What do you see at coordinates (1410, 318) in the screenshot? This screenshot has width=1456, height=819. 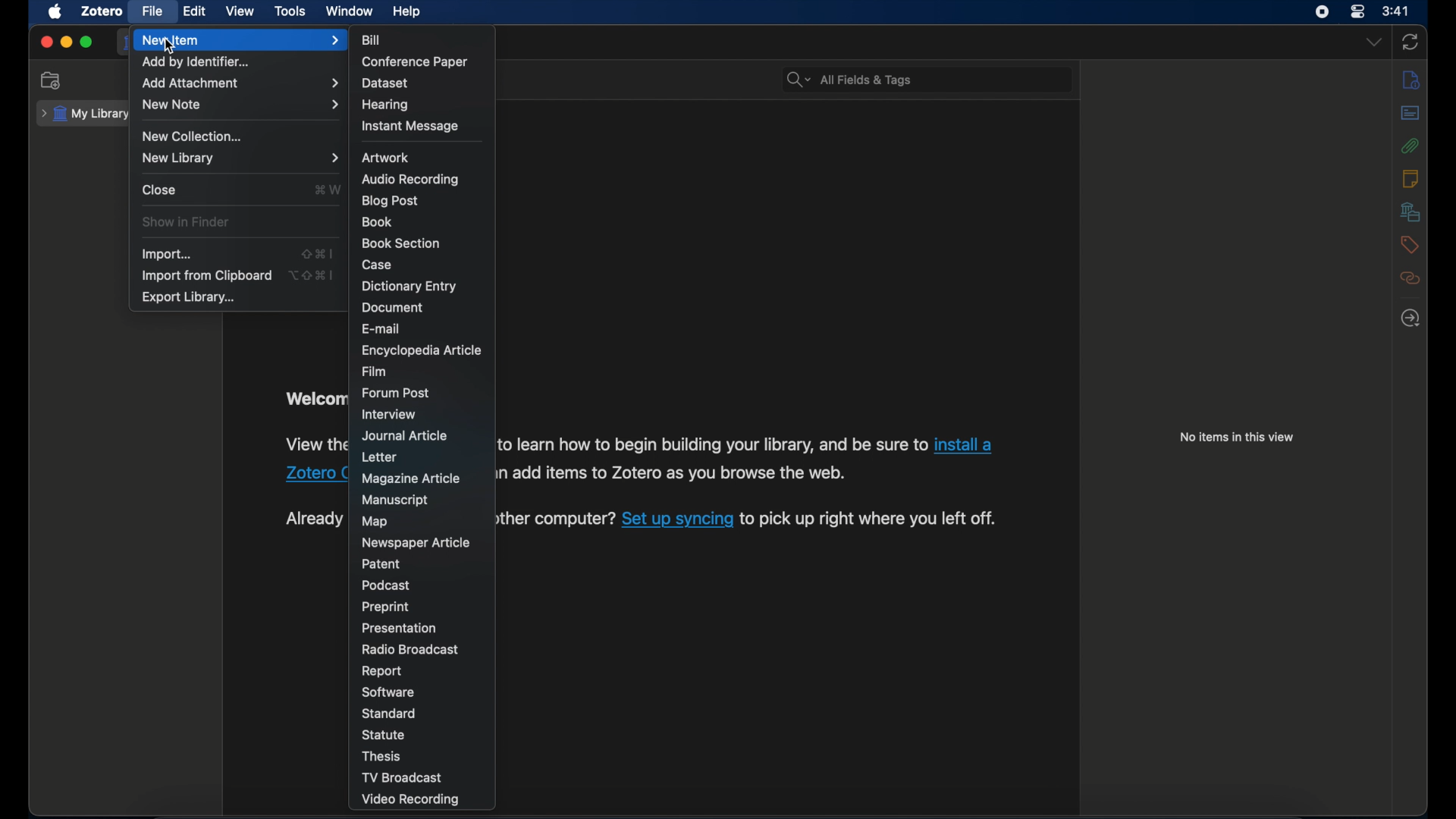 I see `locate` at bounding box center [1410, 318].